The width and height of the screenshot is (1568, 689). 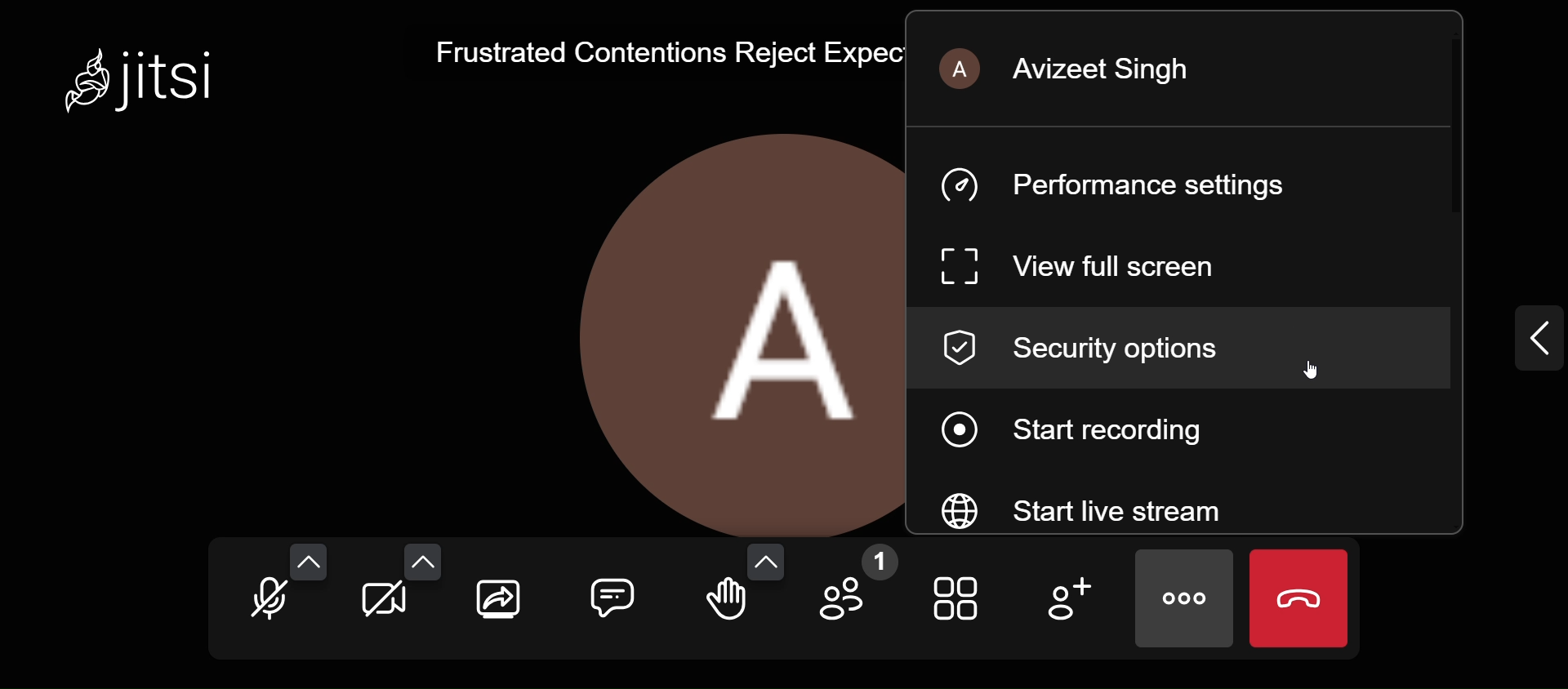 I want to click on toggle view, so click(x=957, y=597).